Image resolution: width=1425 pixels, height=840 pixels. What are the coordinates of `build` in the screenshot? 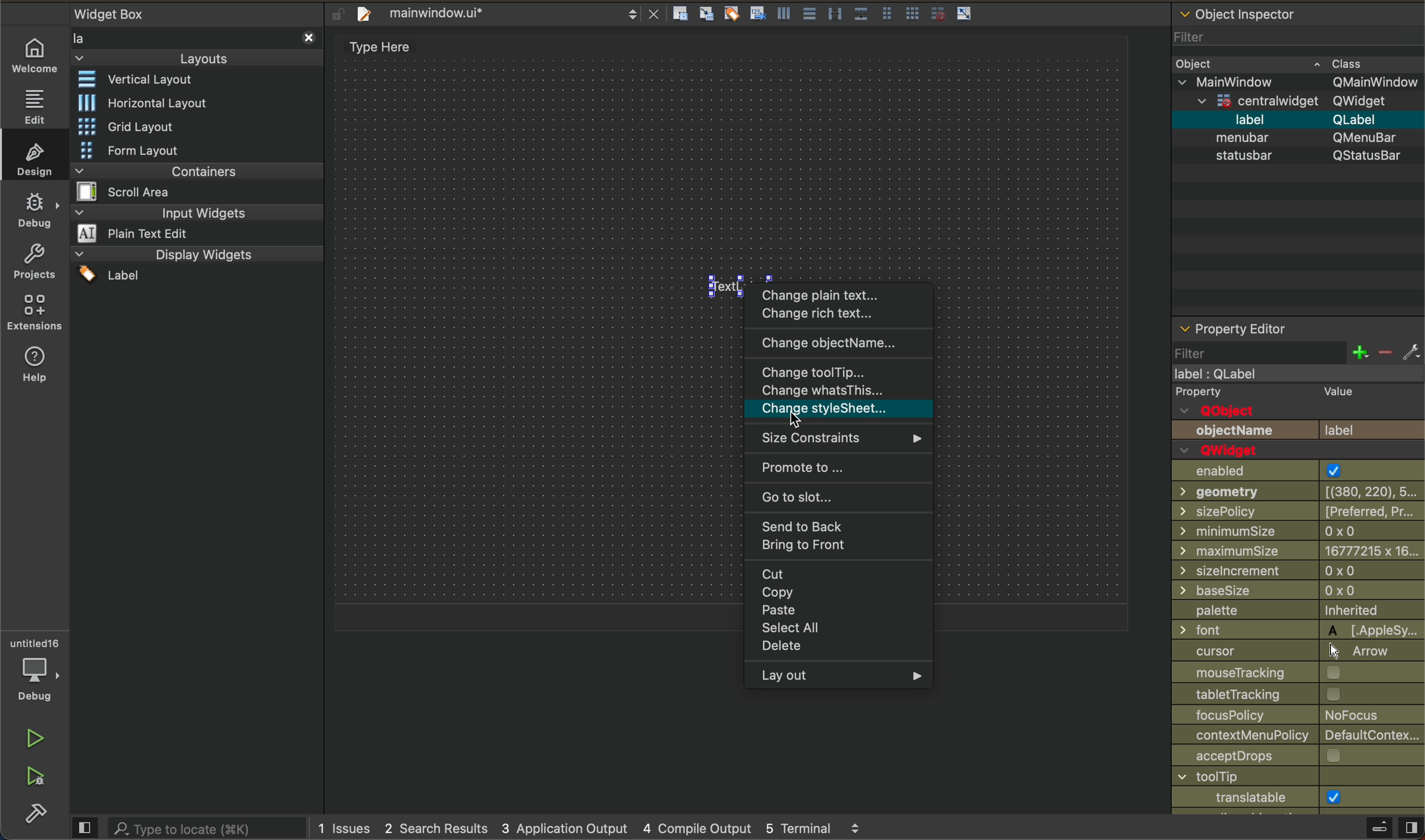 It's located at (31, 815).